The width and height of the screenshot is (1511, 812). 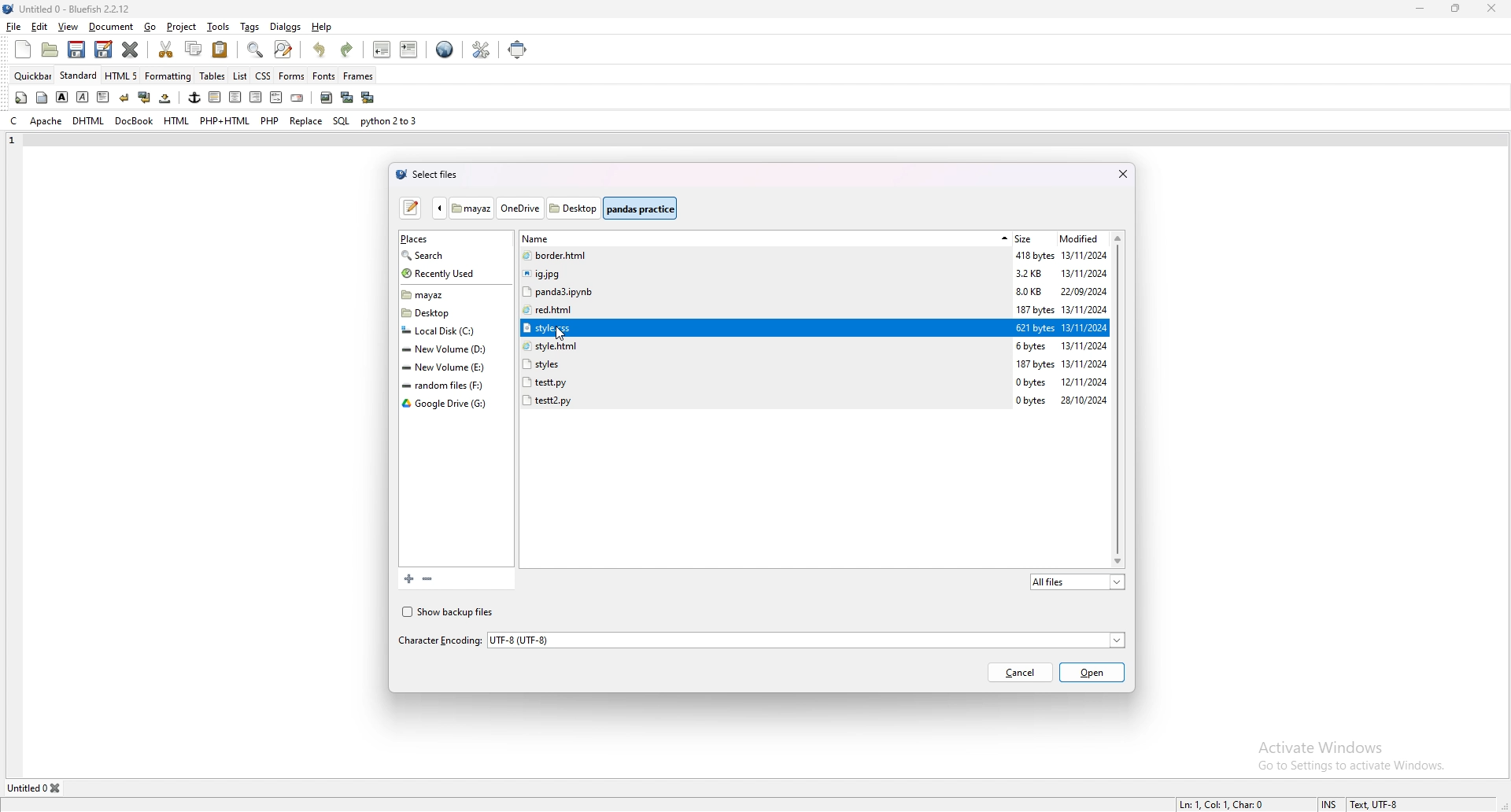 I want to click on insert image, so click(x=327, y=98).